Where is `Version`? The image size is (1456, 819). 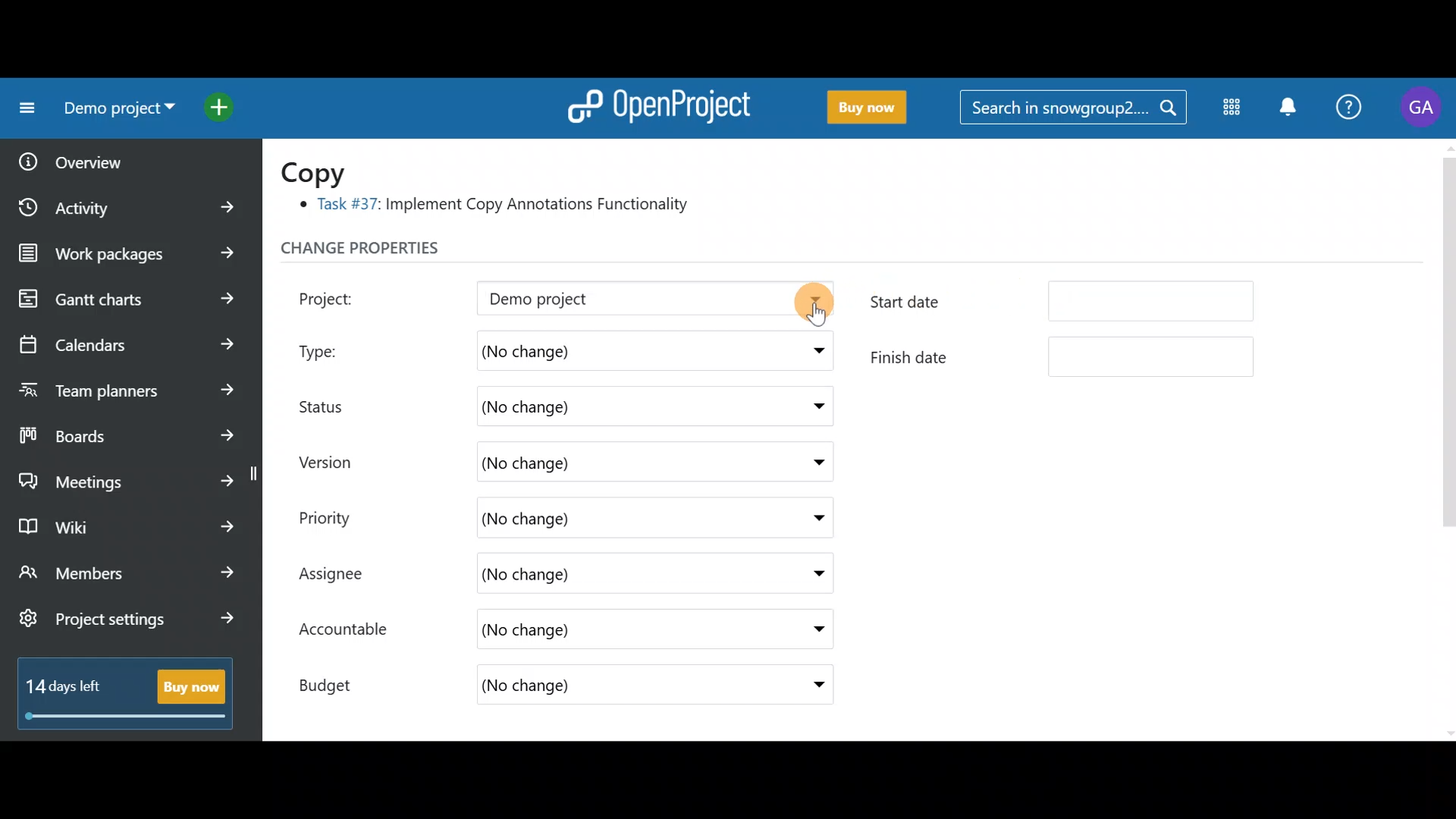 Version is located at coordinates (334, 462).